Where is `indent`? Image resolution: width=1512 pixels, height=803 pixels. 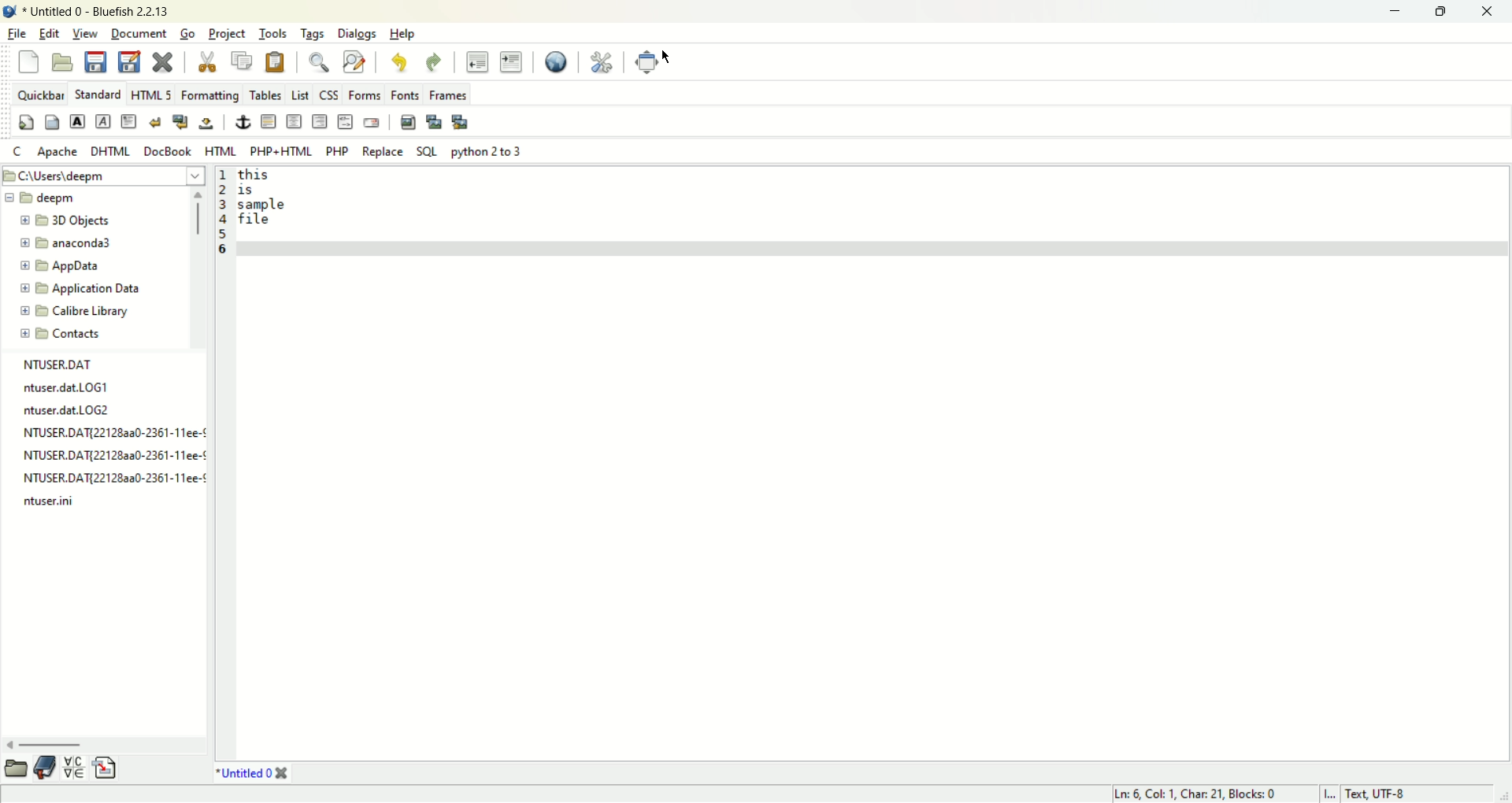
indent is located at coordinates (513, 61).